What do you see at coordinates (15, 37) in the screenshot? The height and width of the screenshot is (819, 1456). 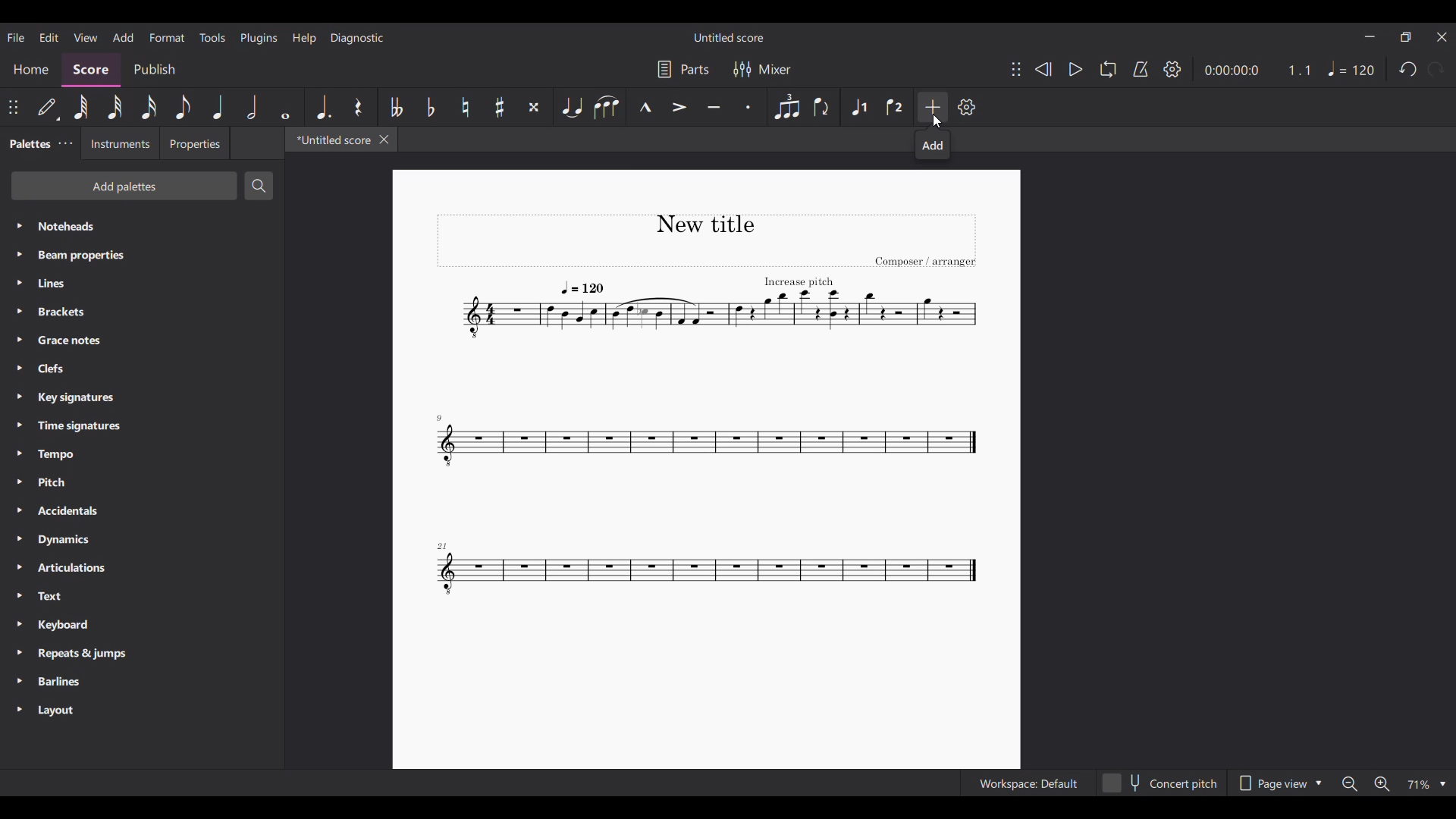 I see `File menu` at bounding box center [15, 37].